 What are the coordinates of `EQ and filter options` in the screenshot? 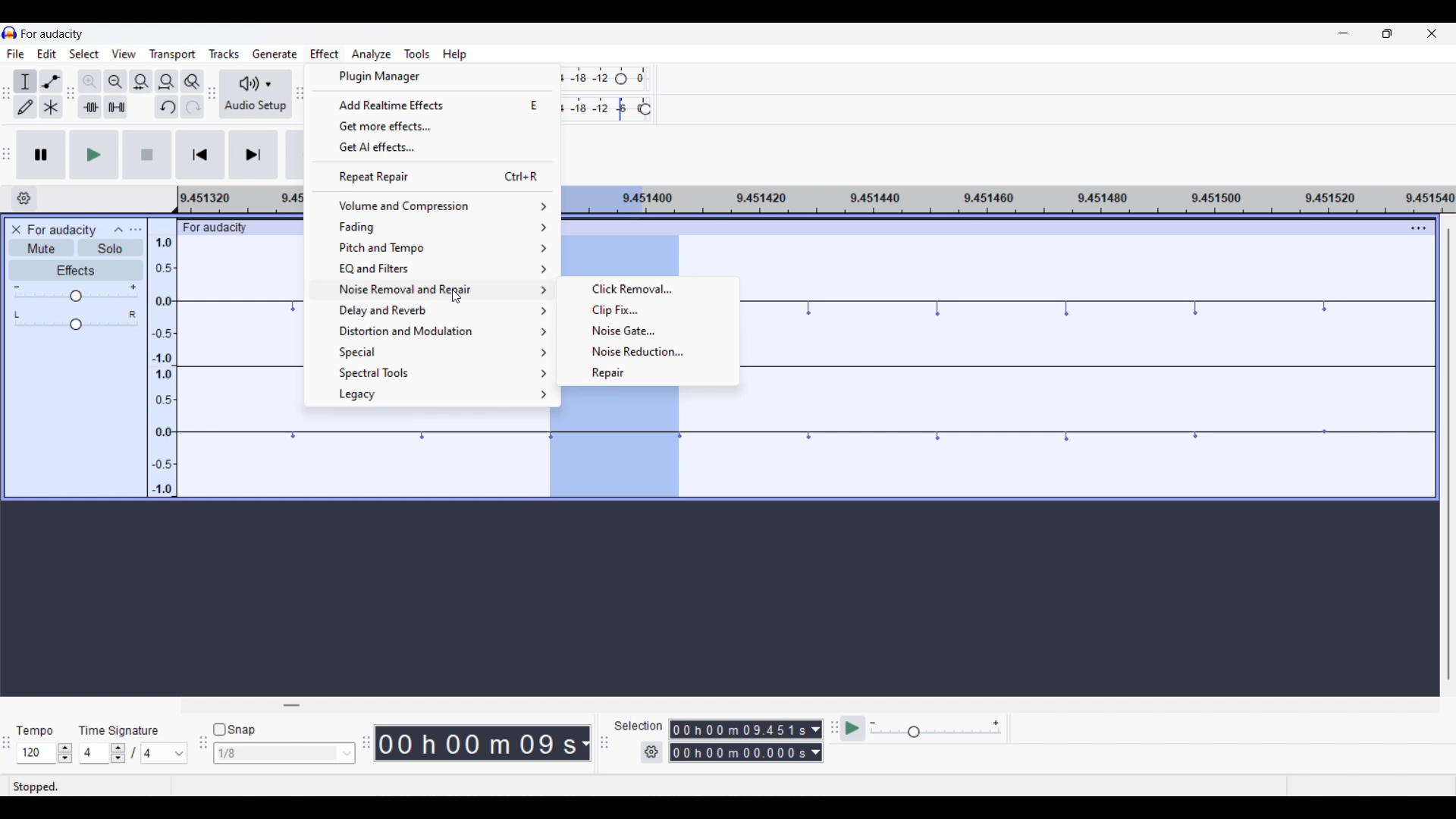 It's located at (431, 268).